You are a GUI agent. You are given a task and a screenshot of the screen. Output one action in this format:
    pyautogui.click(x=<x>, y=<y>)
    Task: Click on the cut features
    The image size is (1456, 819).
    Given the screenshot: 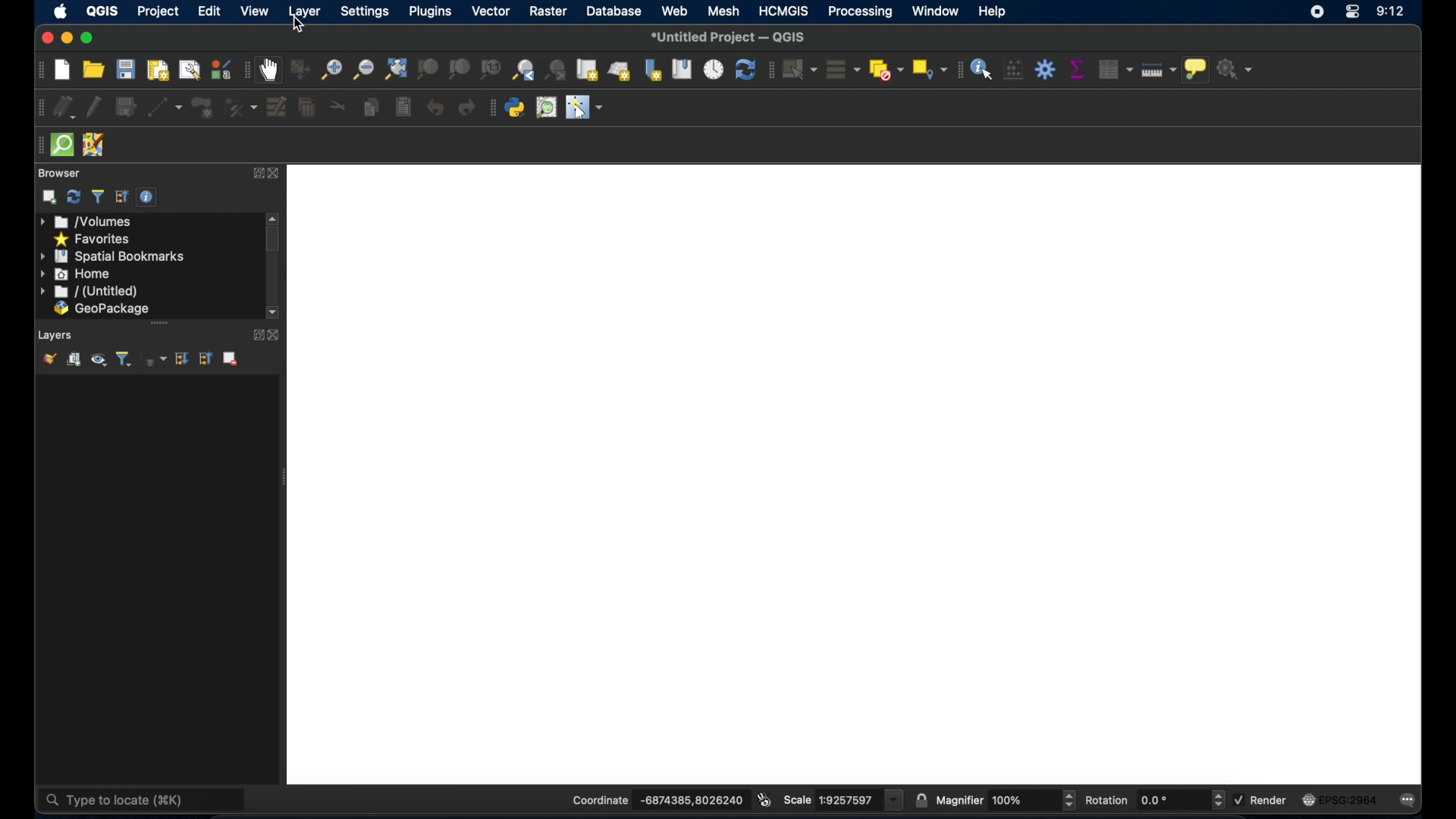 What is the action you would take?
    pyautogui.click(x=336, y=104)
    